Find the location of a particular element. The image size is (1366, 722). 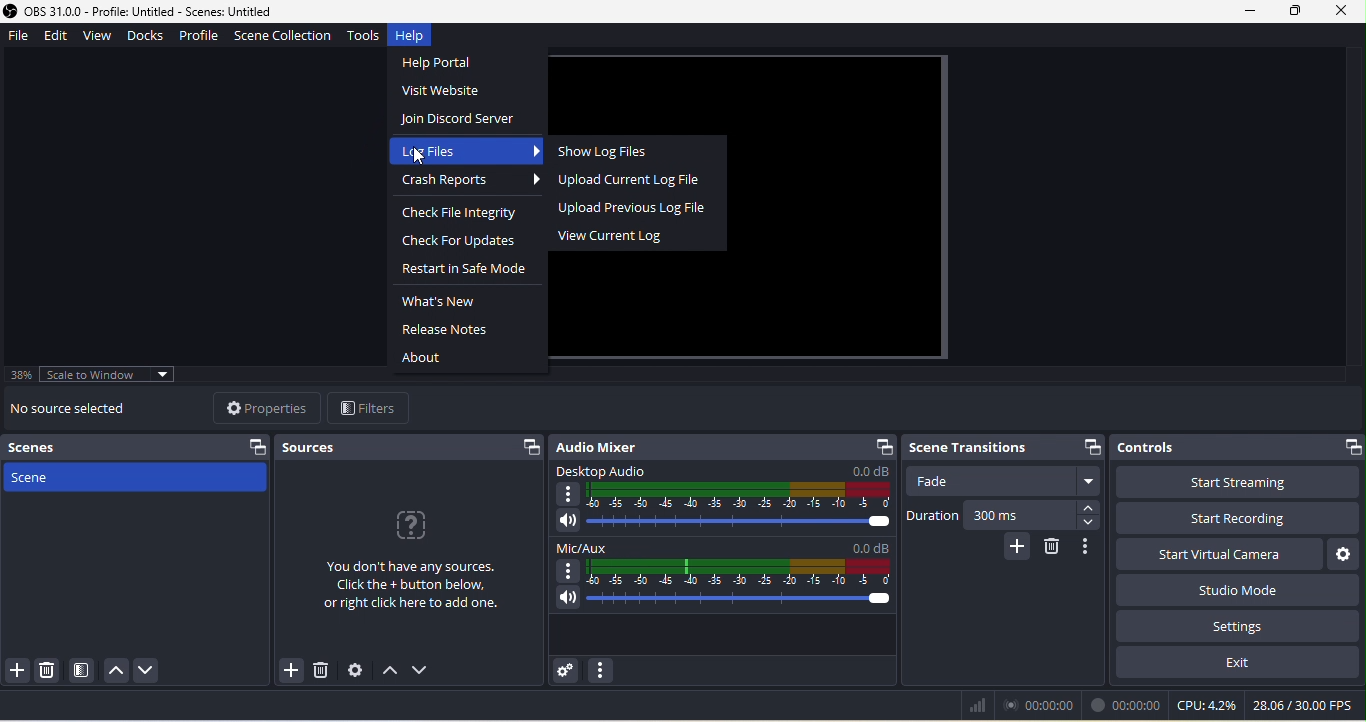

open scene filter is located at coordinates (86, 671).